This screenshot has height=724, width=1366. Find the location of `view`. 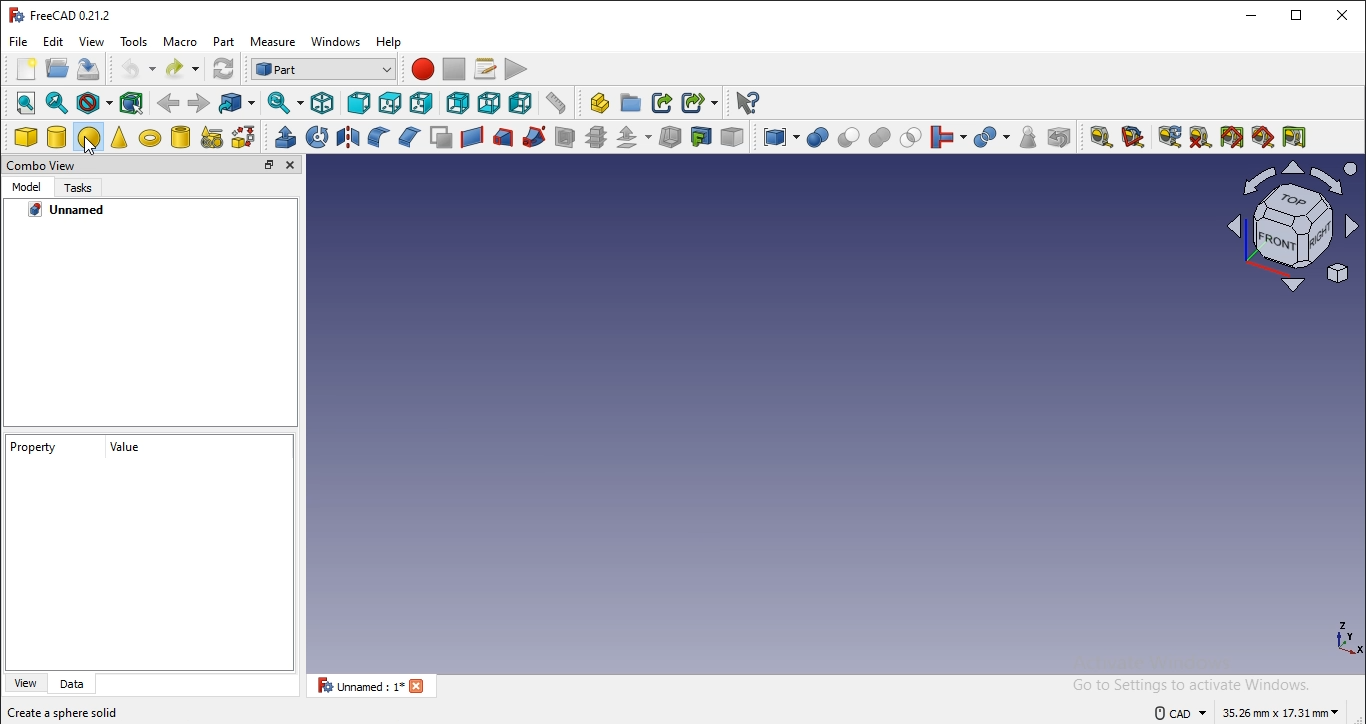

view is located at coordinates (92, 40).